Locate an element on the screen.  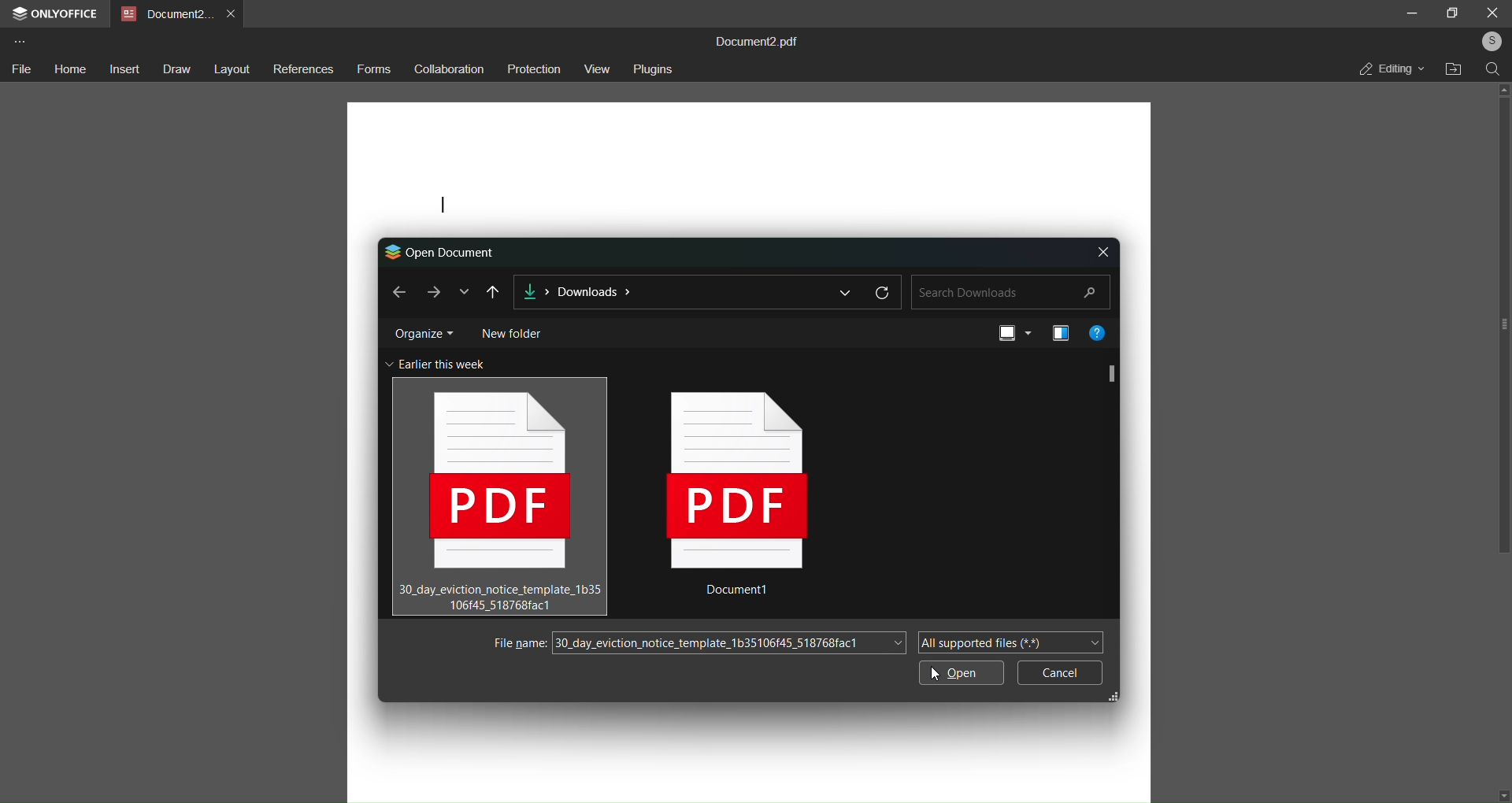
minimize is located at coordinates (1411, 12).